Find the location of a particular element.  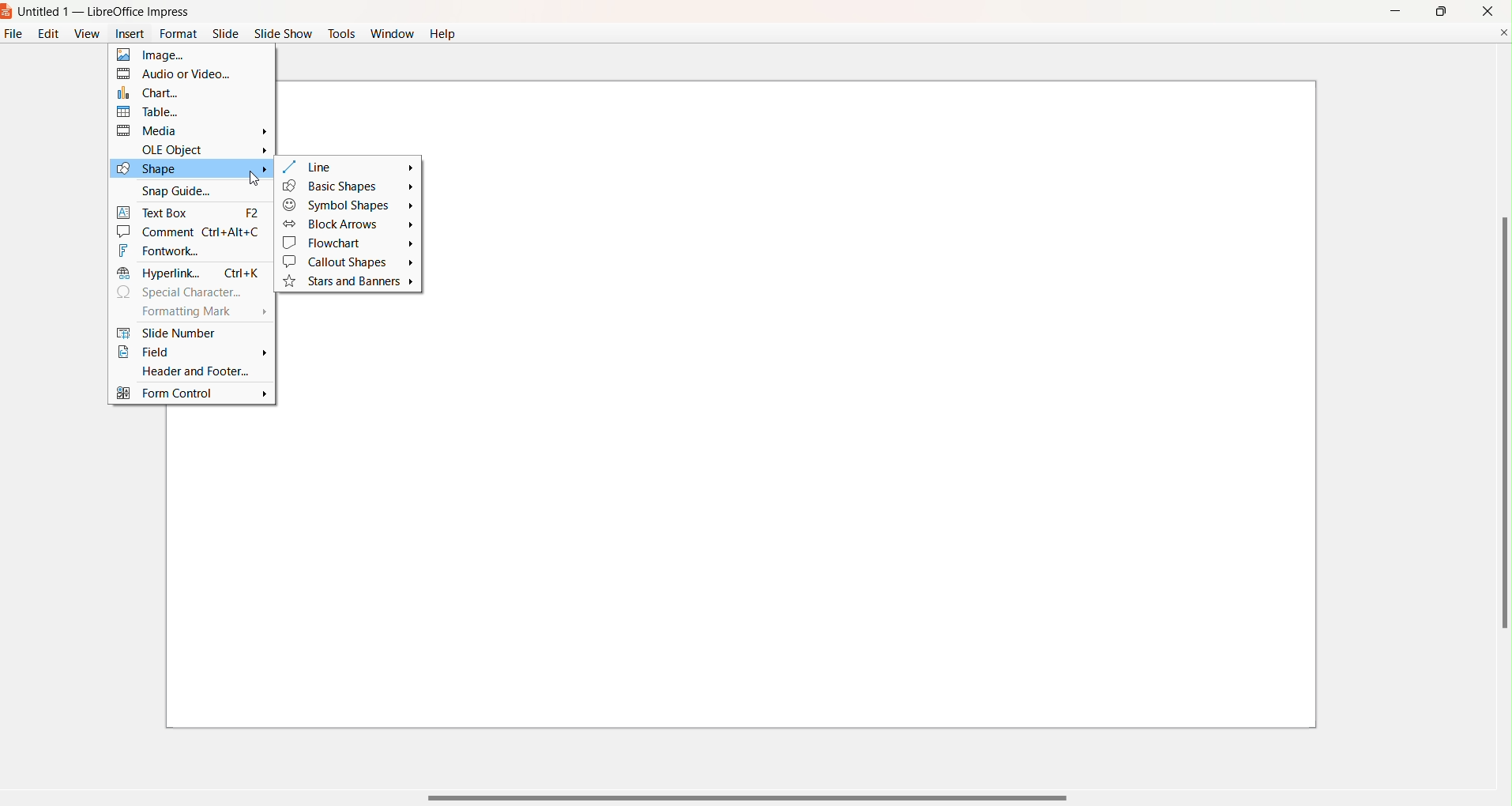

View is located at coordinates (86, 33).